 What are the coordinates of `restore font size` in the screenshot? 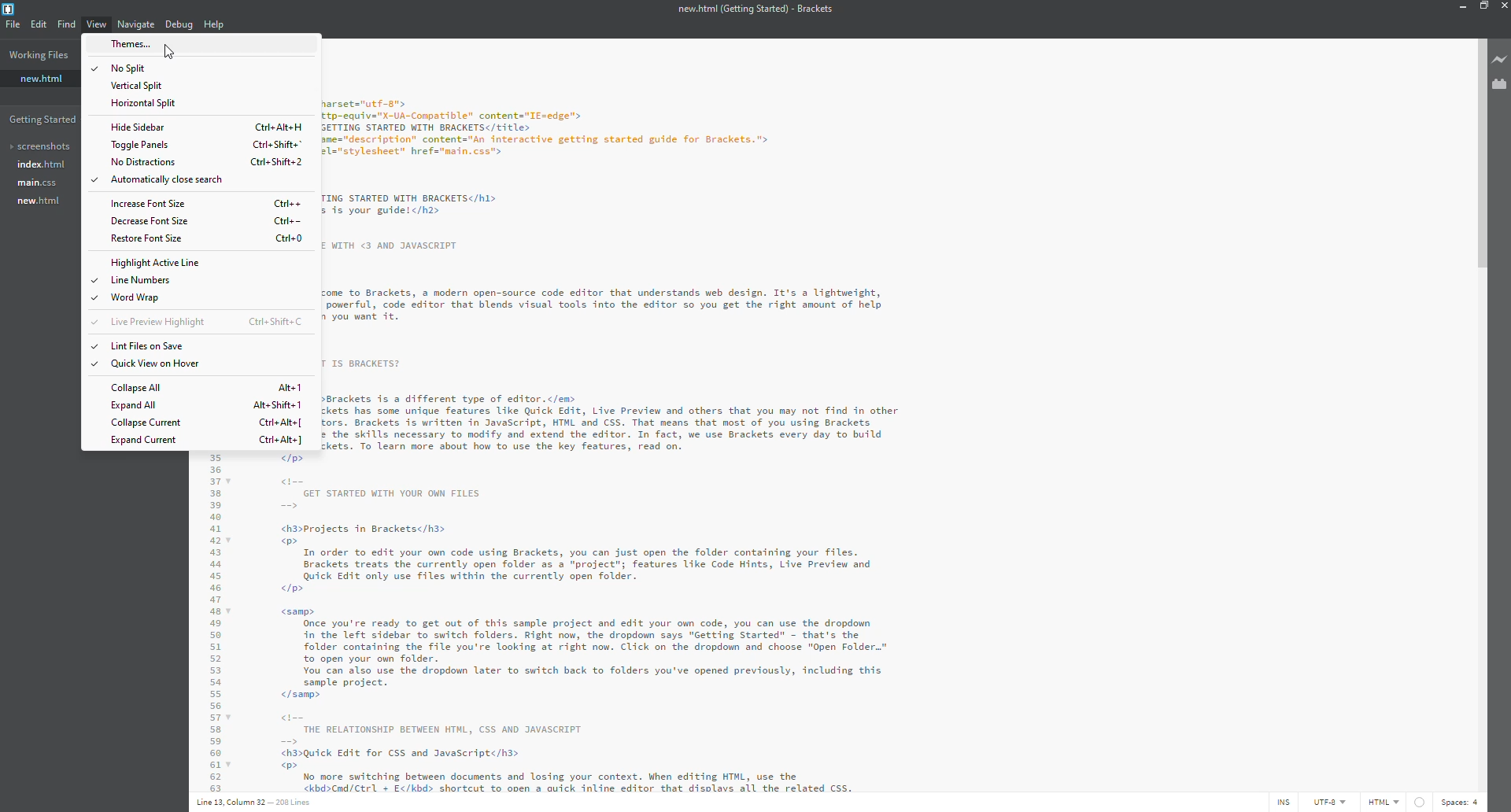 It's located at (144, 238).